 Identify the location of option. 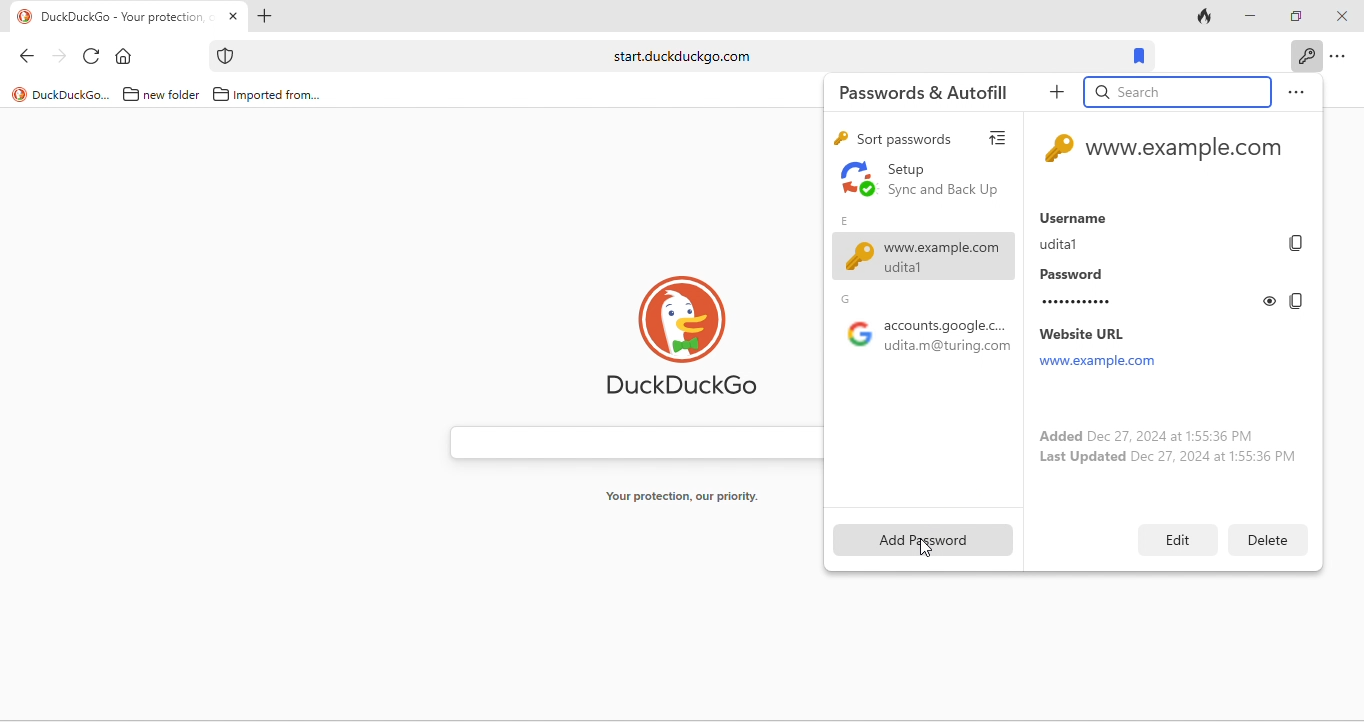
(1292, 95).